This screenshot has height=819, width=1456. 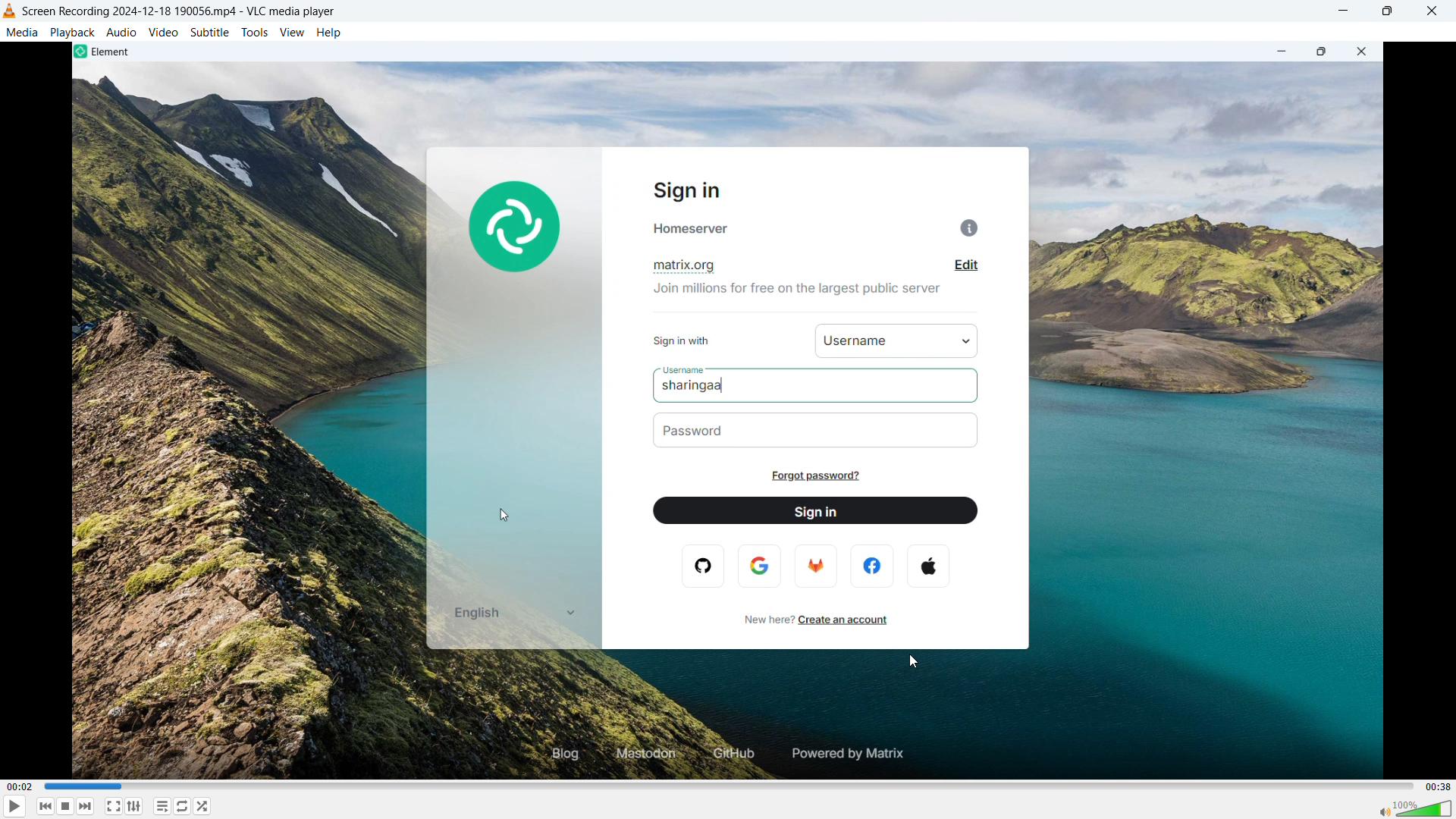 What do you see at coordinates (86, 806) in the screenshot?
I see `Backward or previous media ` at bounding box center [86, 806].